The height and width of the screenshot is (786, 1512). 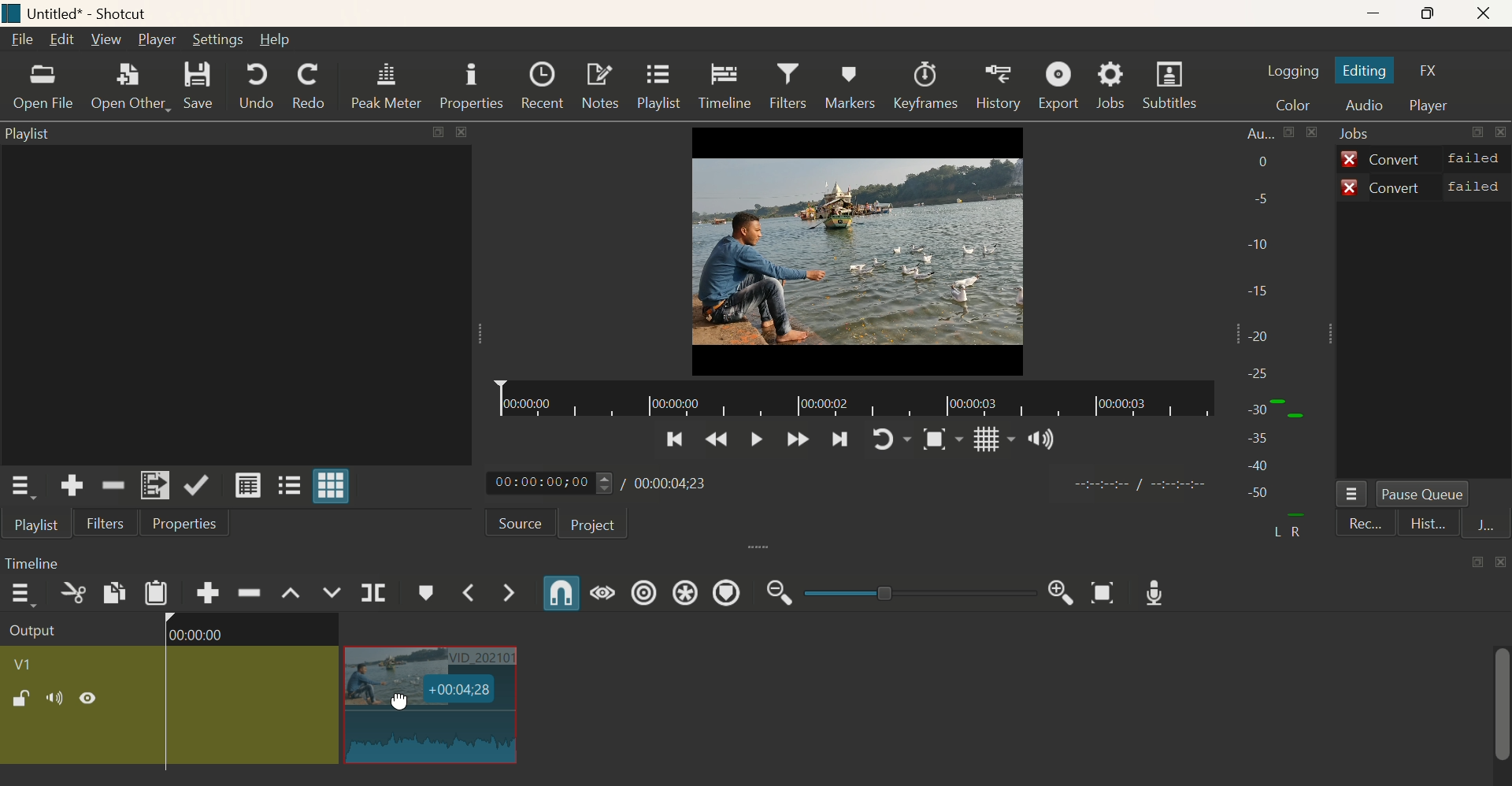 What do you see at coordinates (1380, 14) in the screenshot?
I see `Minimize` at bounding box center [1380, 14].